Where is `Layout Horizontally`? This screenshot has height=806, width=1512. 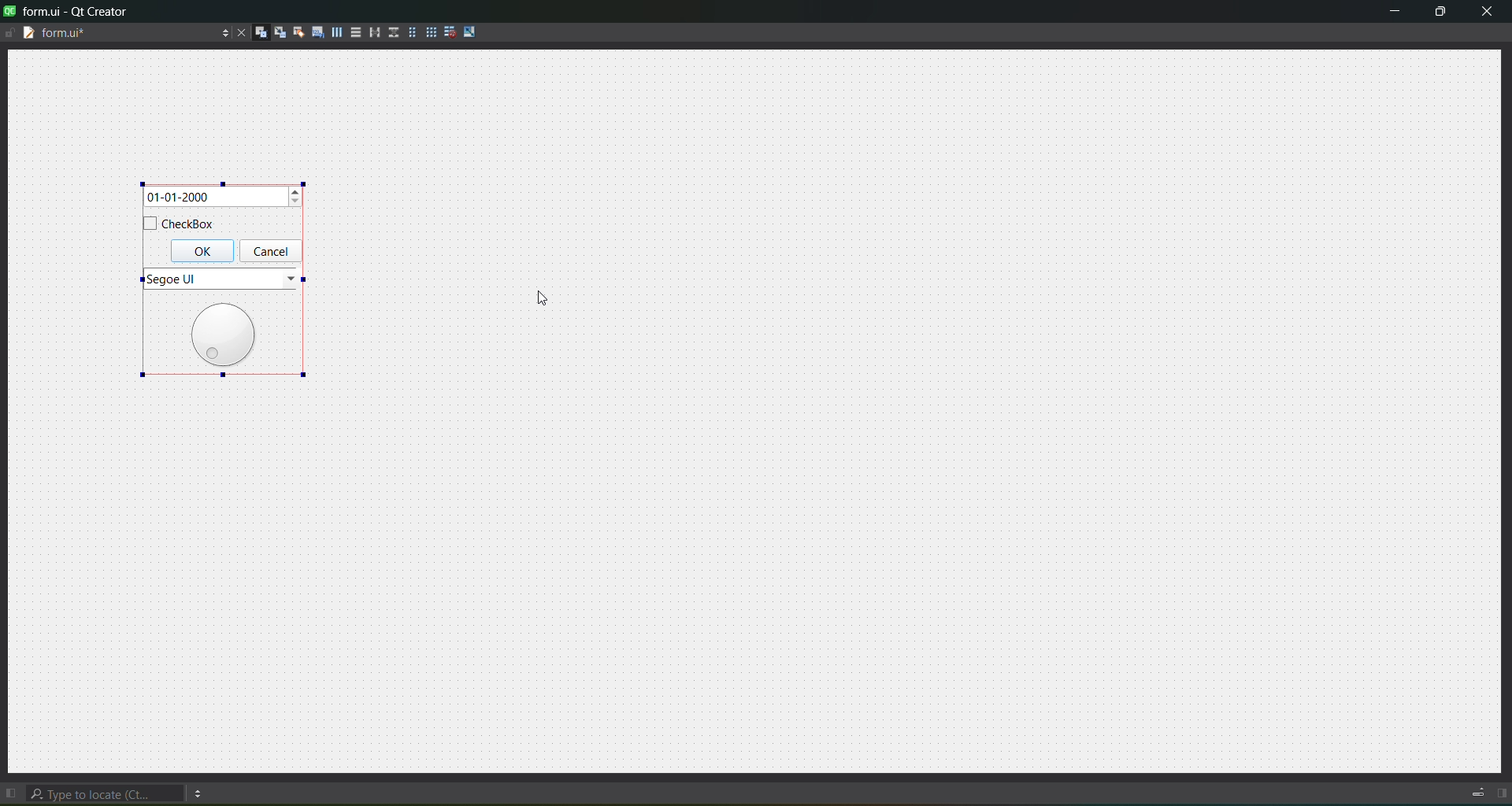
Layout Horizontally is located at coordinates (335, 31).